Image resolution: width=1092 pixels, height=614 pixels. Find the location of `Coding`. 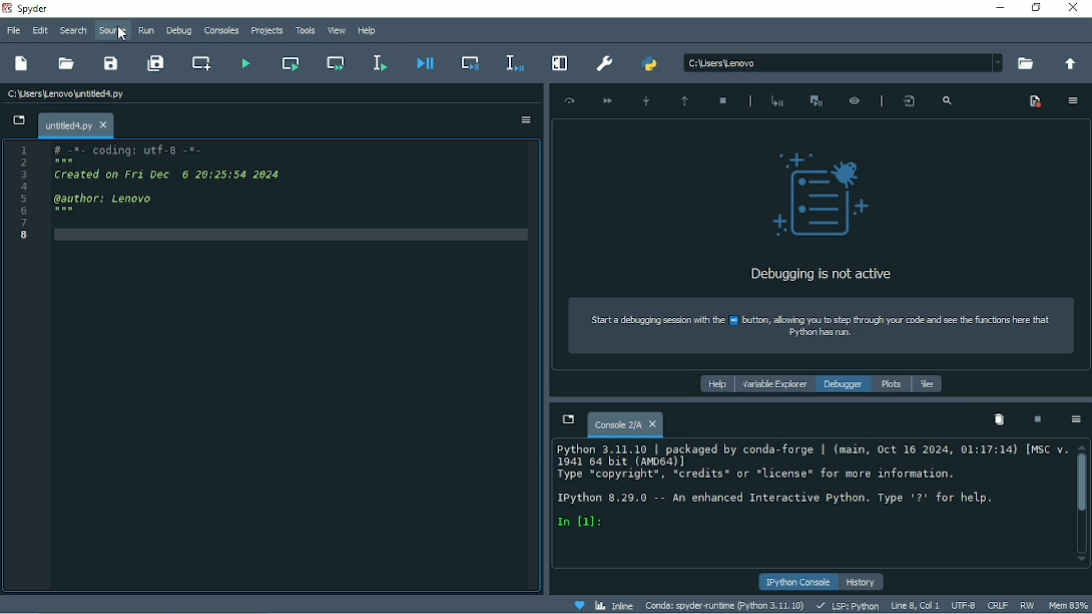

Coding is located at coordinates (136, 153).